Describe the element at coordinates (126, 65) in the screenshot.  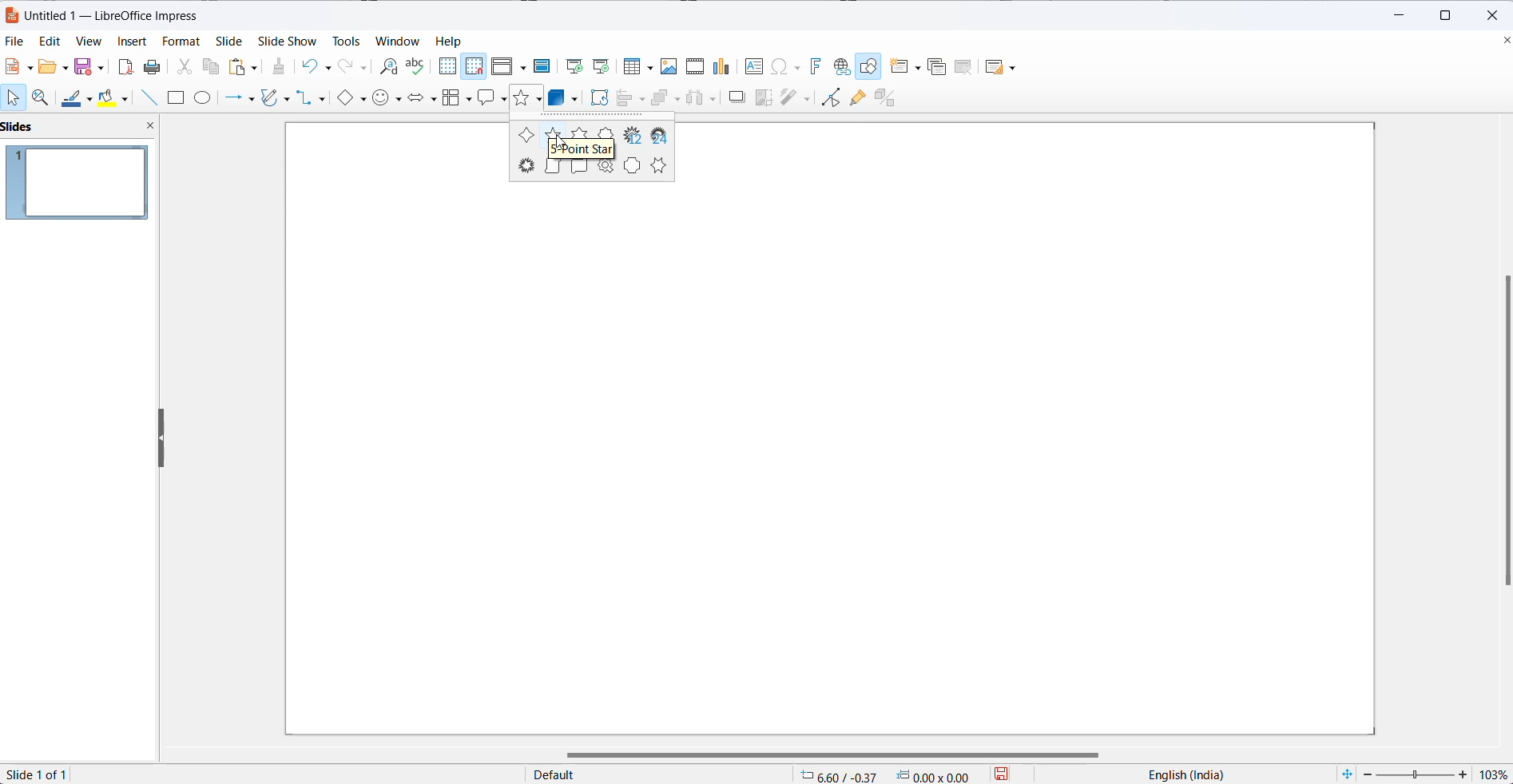
I see `export as pdf ` at that location.